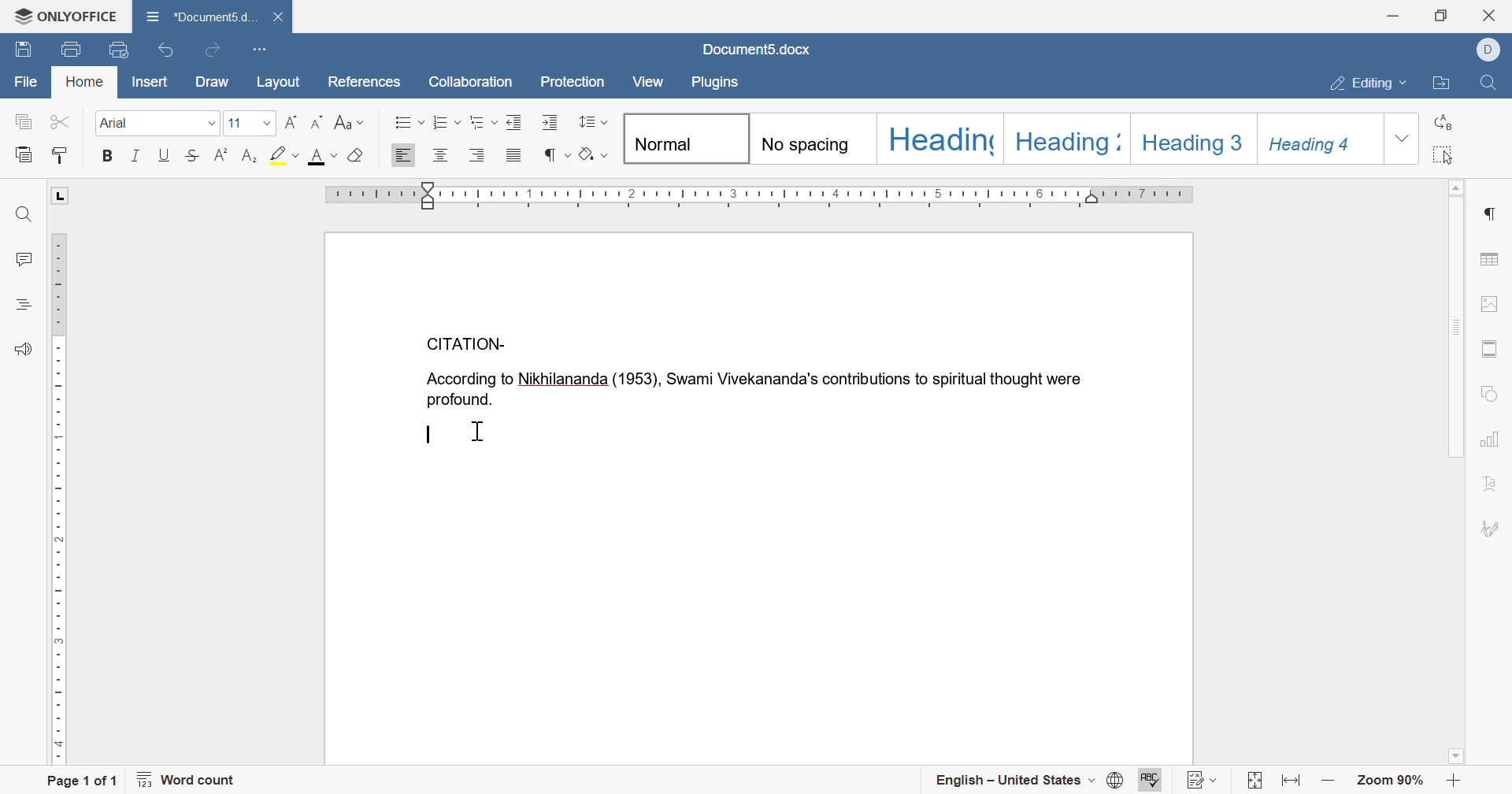 Image resolution: width=1512 pixels, height=794 pixels. I want to click on Heading 4, so click(1320, 141).